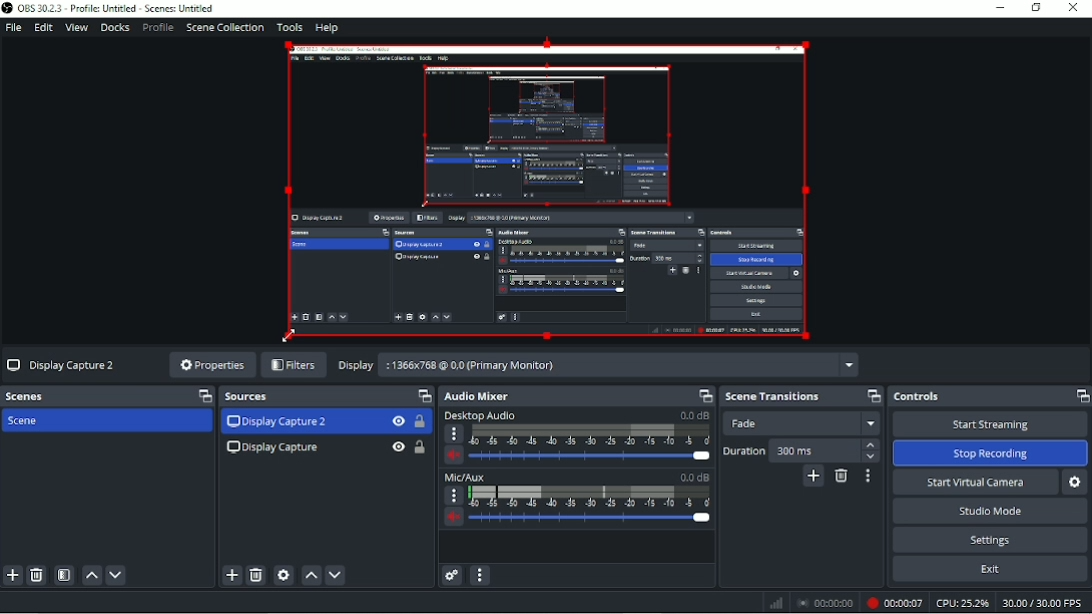 This screenshot has width=1092, height=614. What do you see at coordinates (1001, 8) in the screenshot?
I see `Minimize` at bounding box center [1001, 8].